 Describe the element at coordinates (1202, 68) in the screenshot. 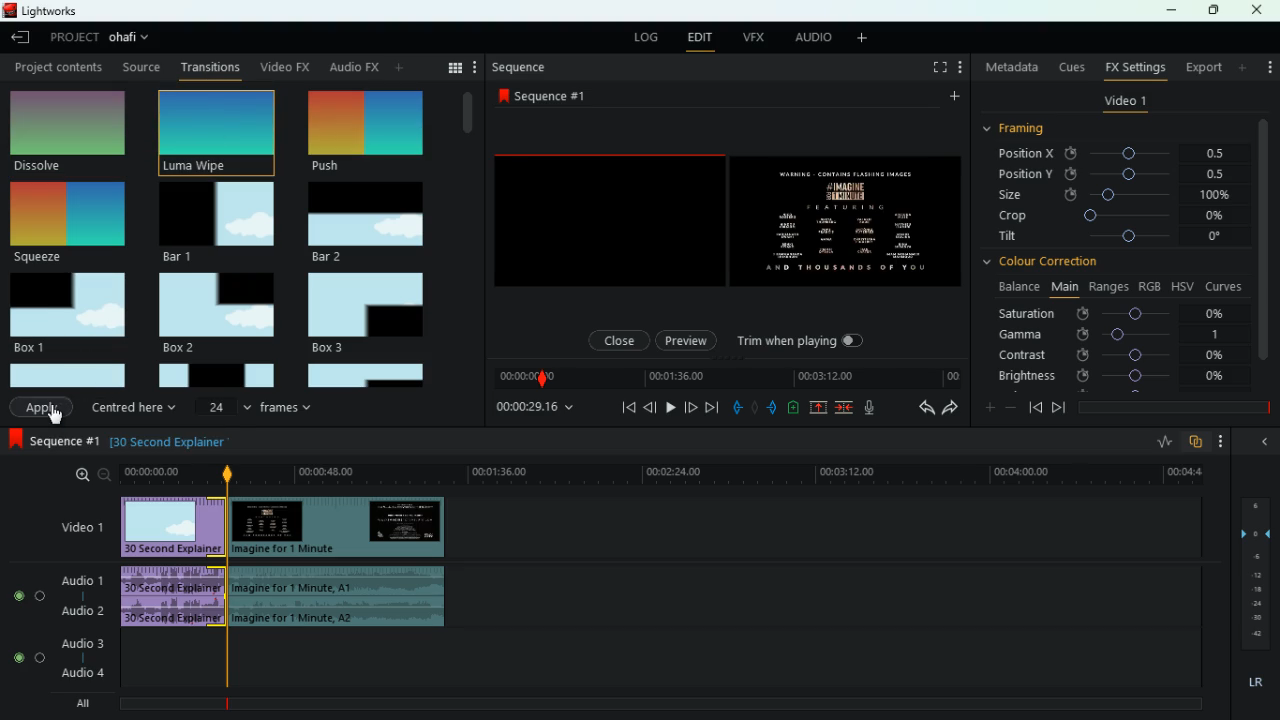

I see `export` at that location.